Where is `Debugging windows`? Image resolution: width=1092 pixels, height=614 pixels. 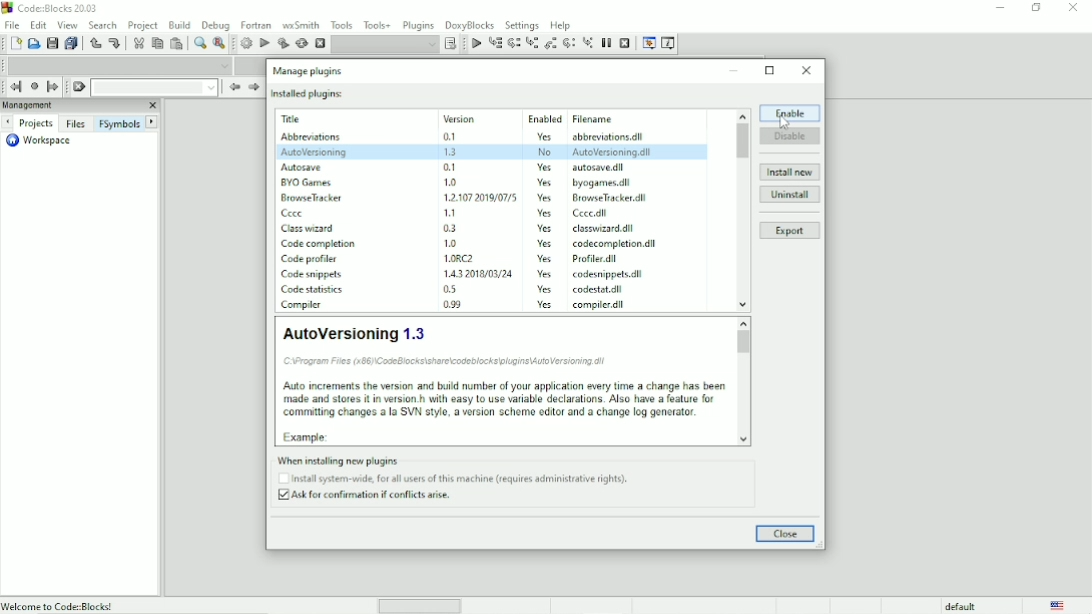 Debugging windows is located at coordinates (649, 44).